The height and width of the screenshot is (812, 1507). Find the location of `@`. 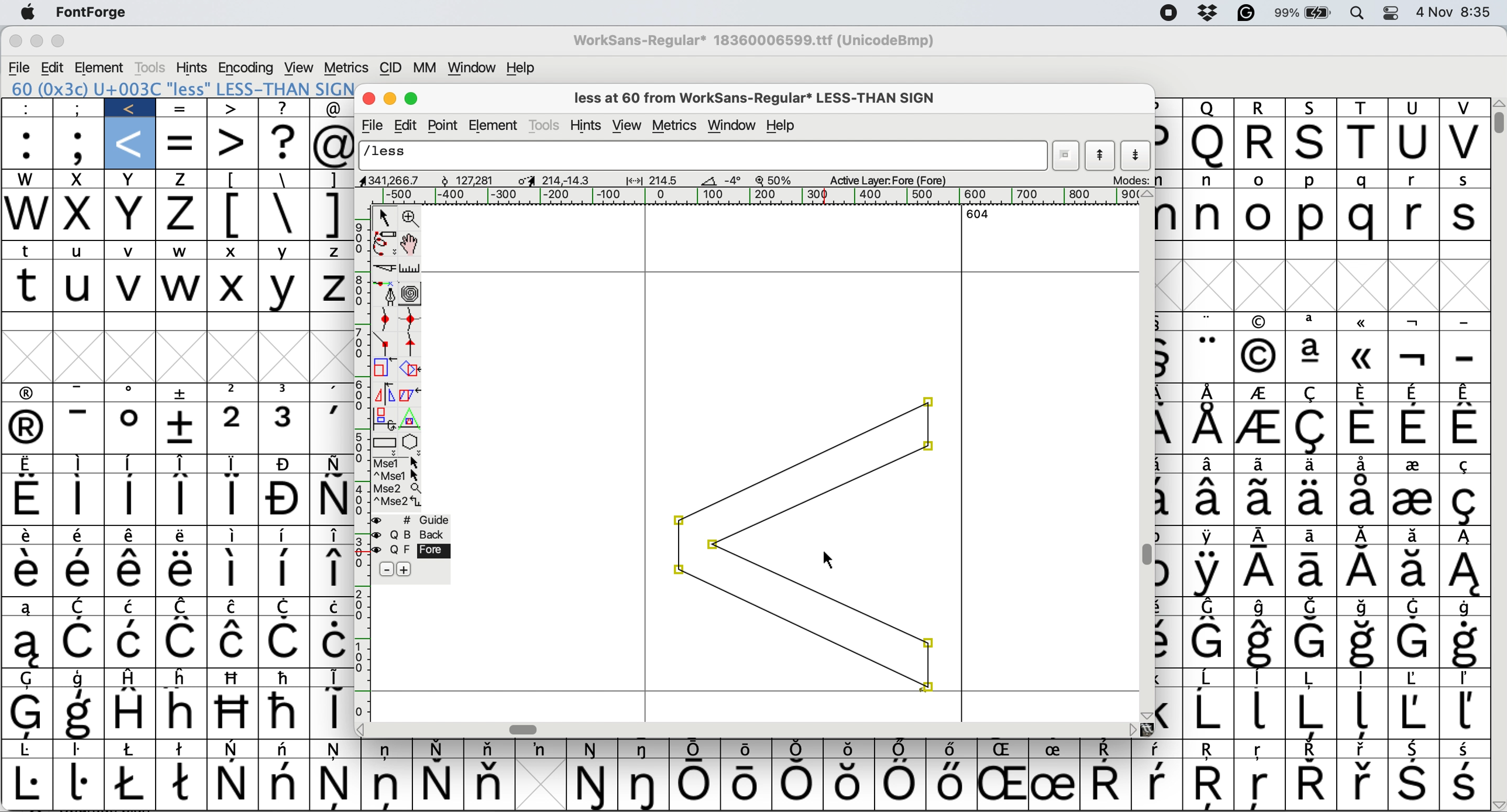

@ is located at coordinates (335, 144).